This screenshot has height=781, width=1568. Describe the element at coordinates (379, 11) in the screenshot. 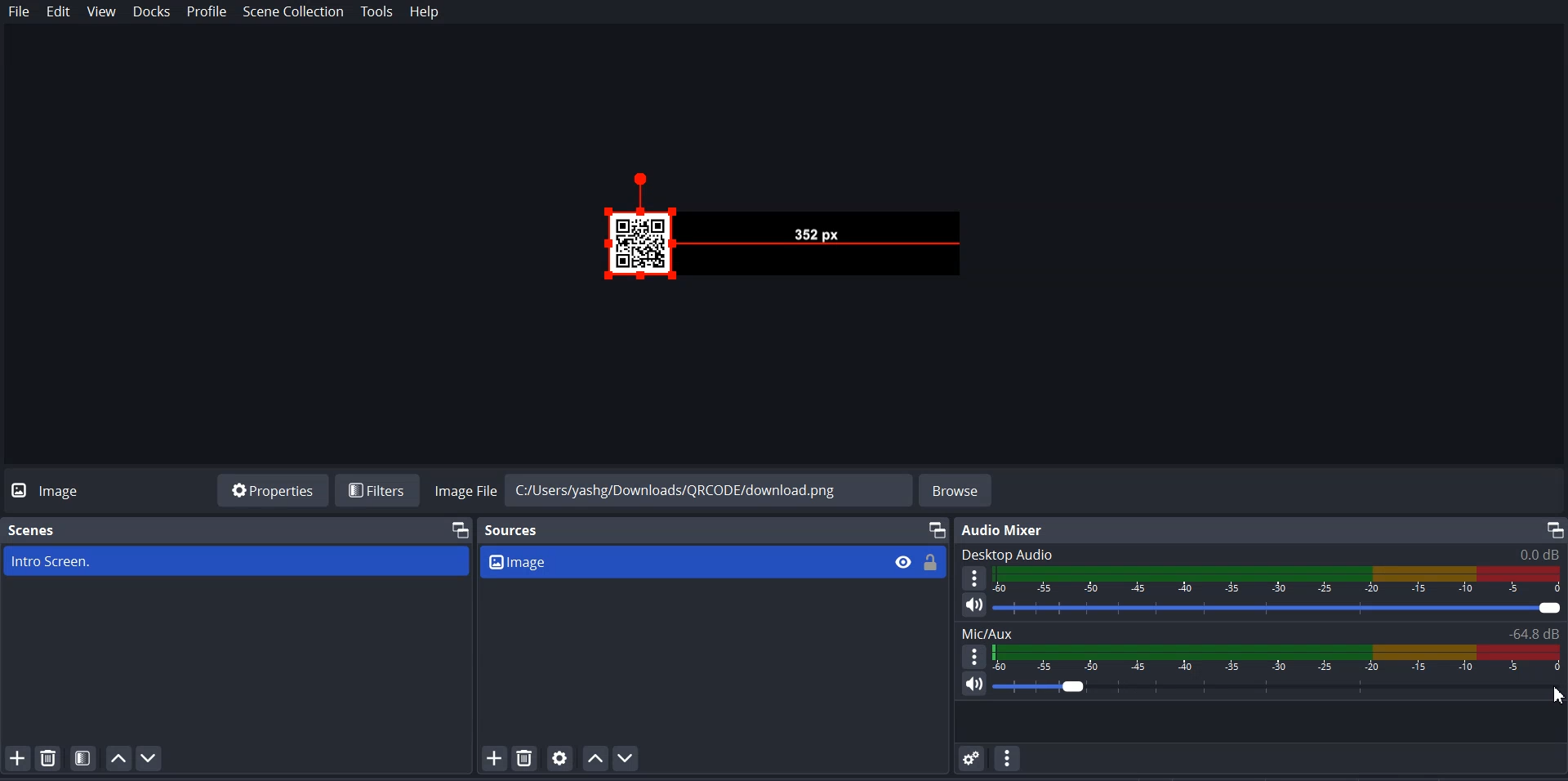

I see `Tools` at that location.